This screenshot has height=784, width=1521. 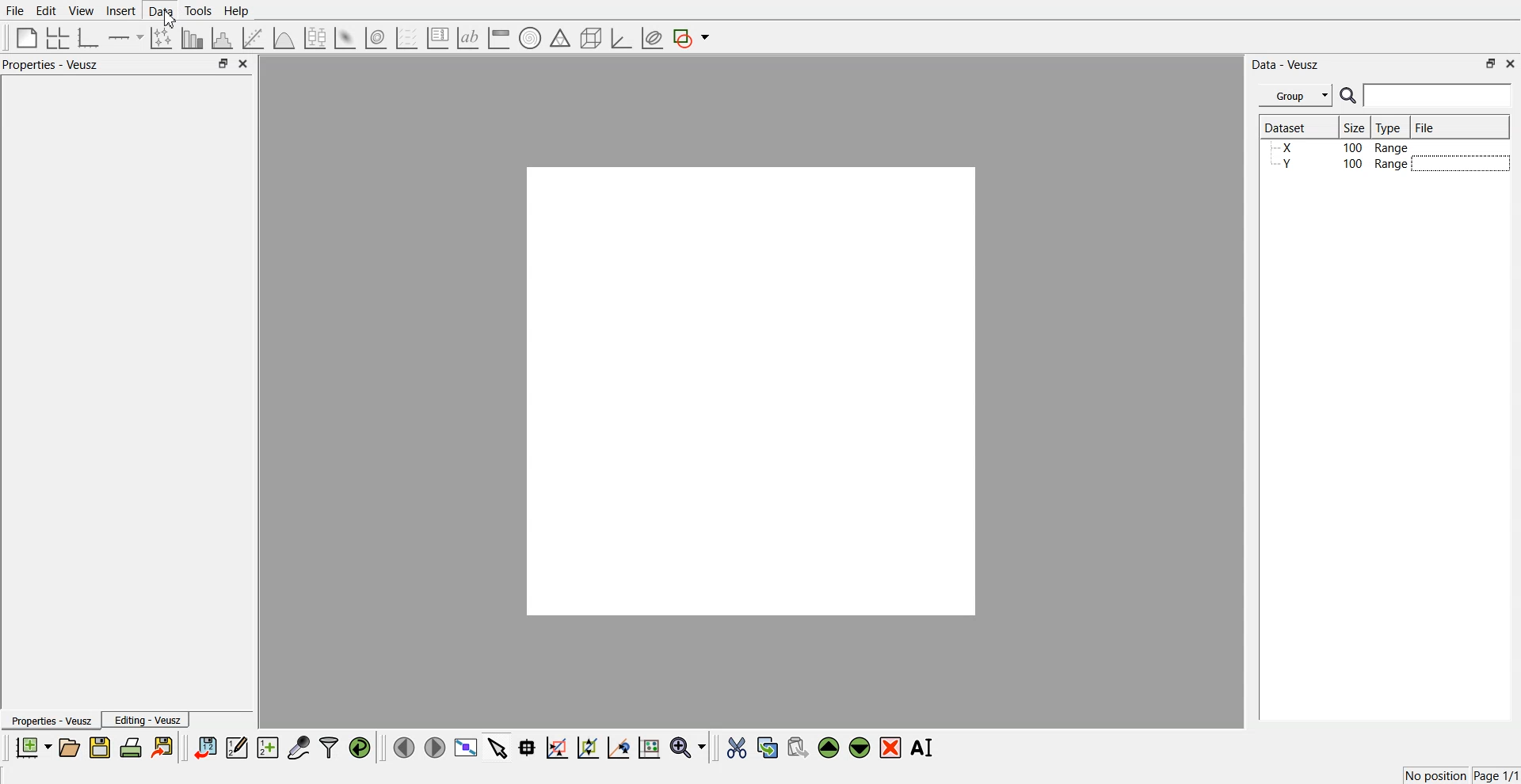 What do you see at coordinates (220, 39) in the screenshot?
I see `Histogram of dataset` at bounding box center [220, 39].